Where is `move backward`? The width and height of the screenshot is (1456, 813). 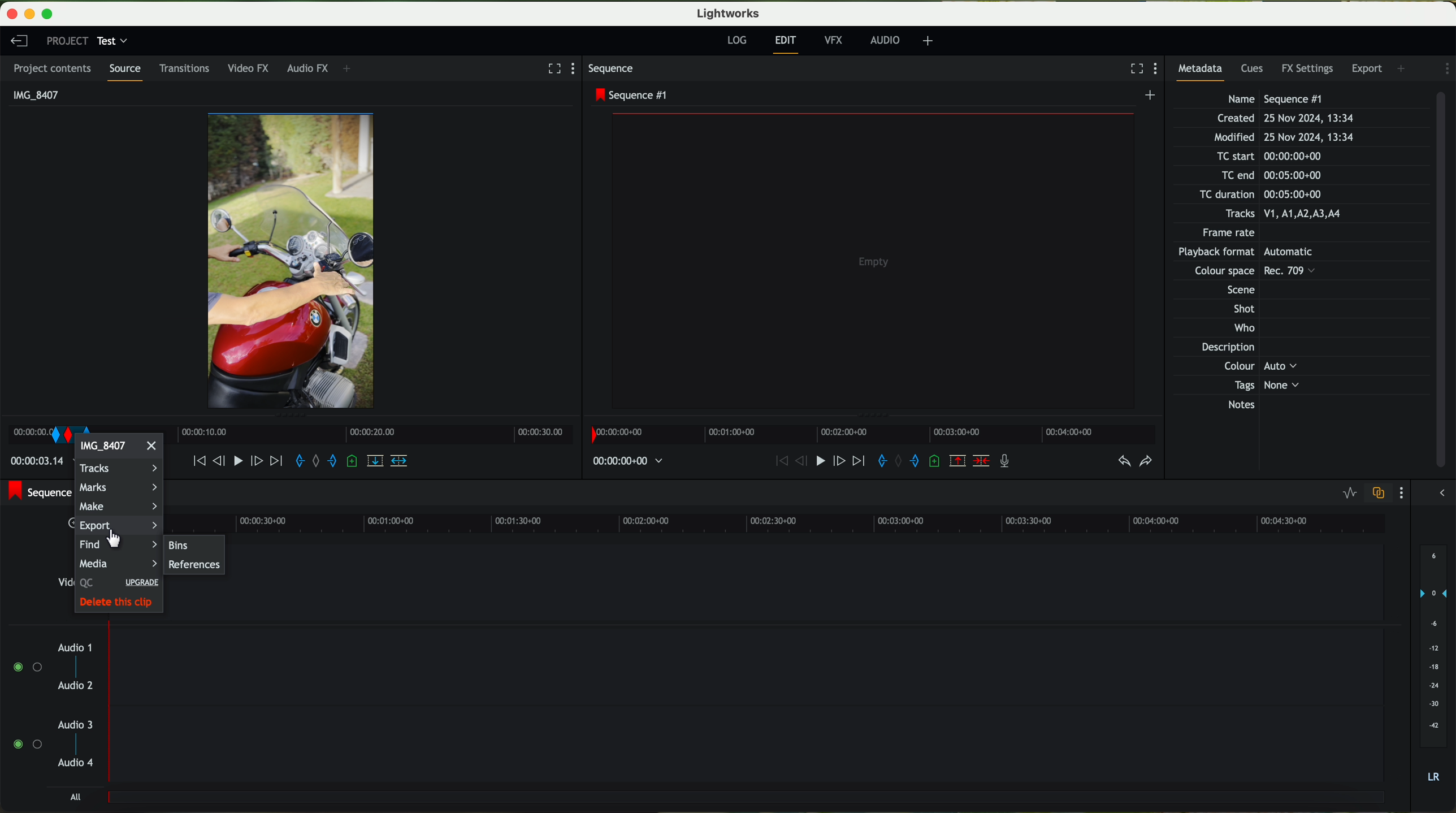 move backward is located at coordinates (774, 461).